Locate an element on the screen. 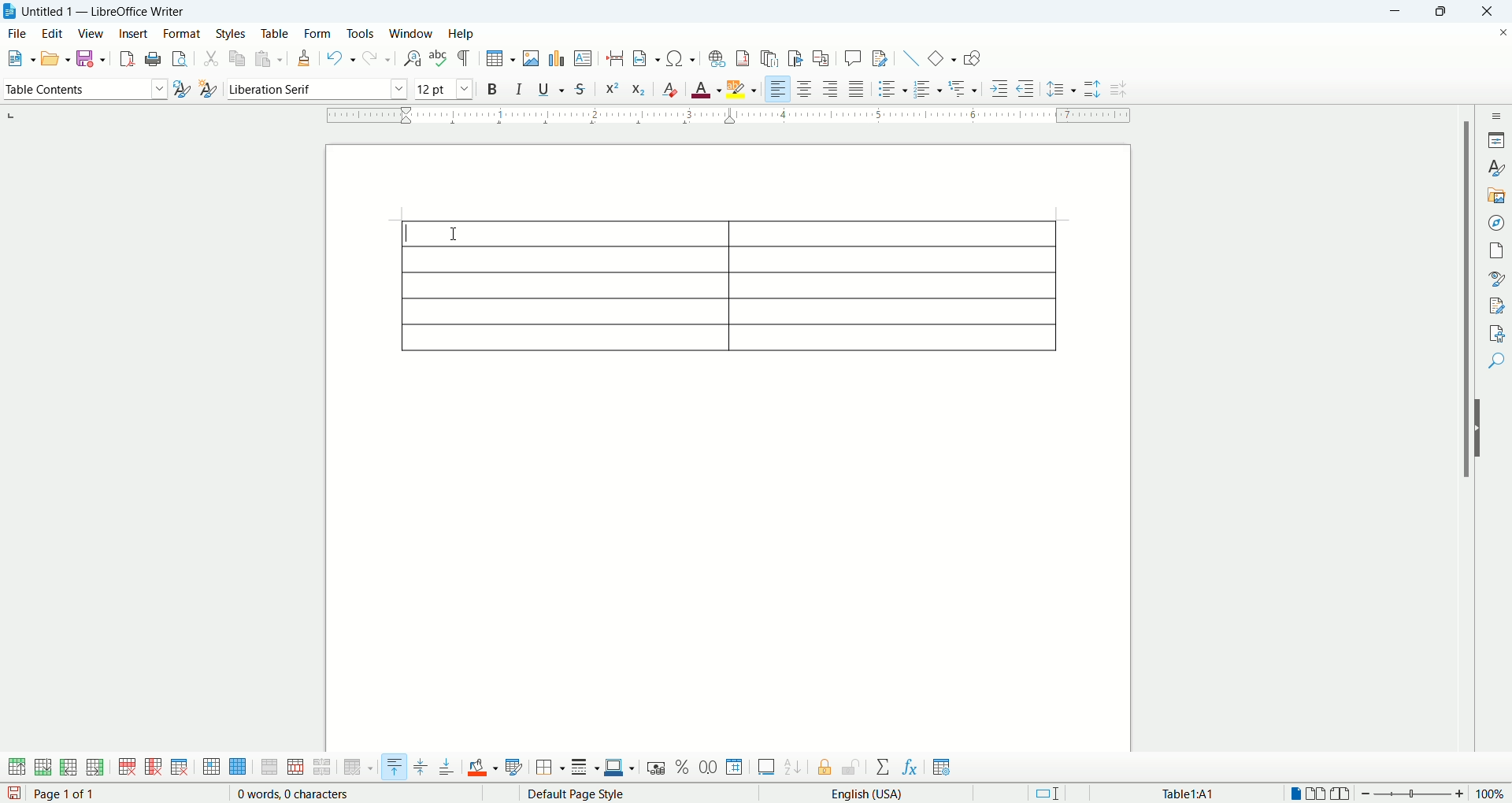 This screenshot has height=803, width=1512. insert cross references is located at coordinates (823, 59).